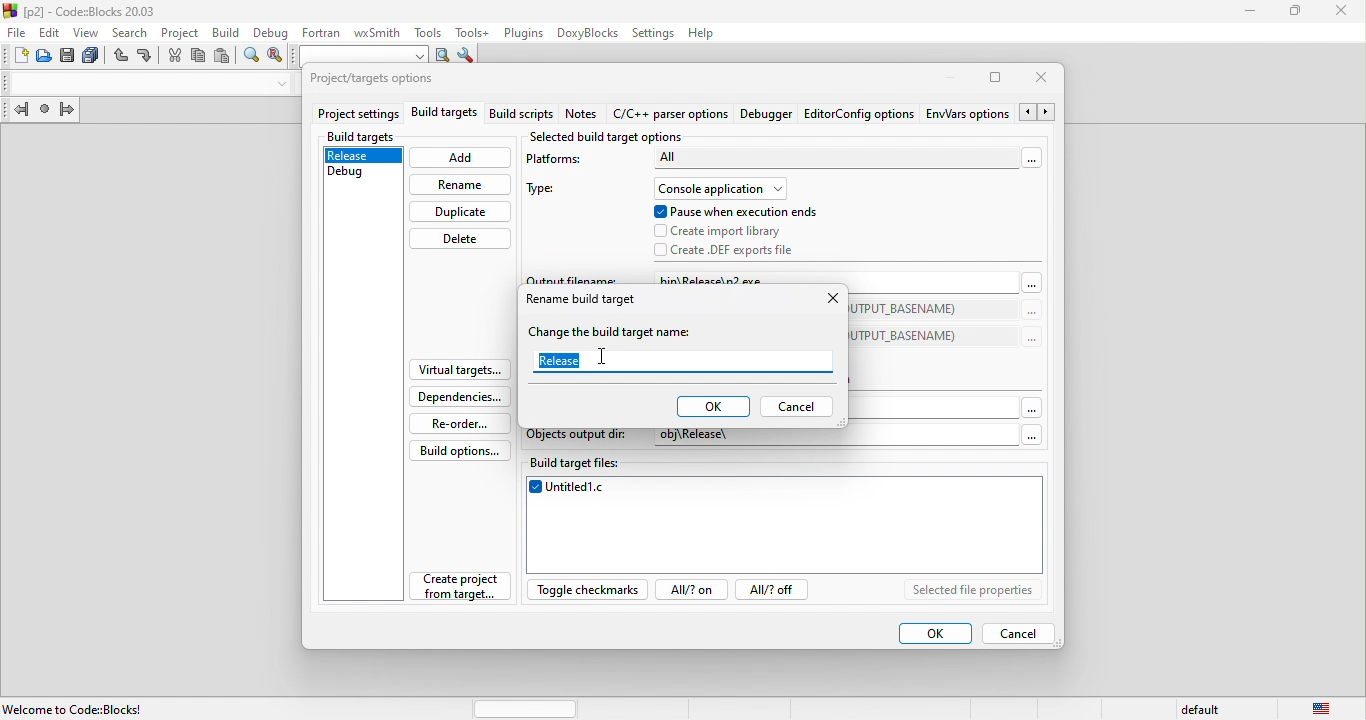  Describe the element at coordinates (15, 33) in the screenshot. I see `file` at that location.